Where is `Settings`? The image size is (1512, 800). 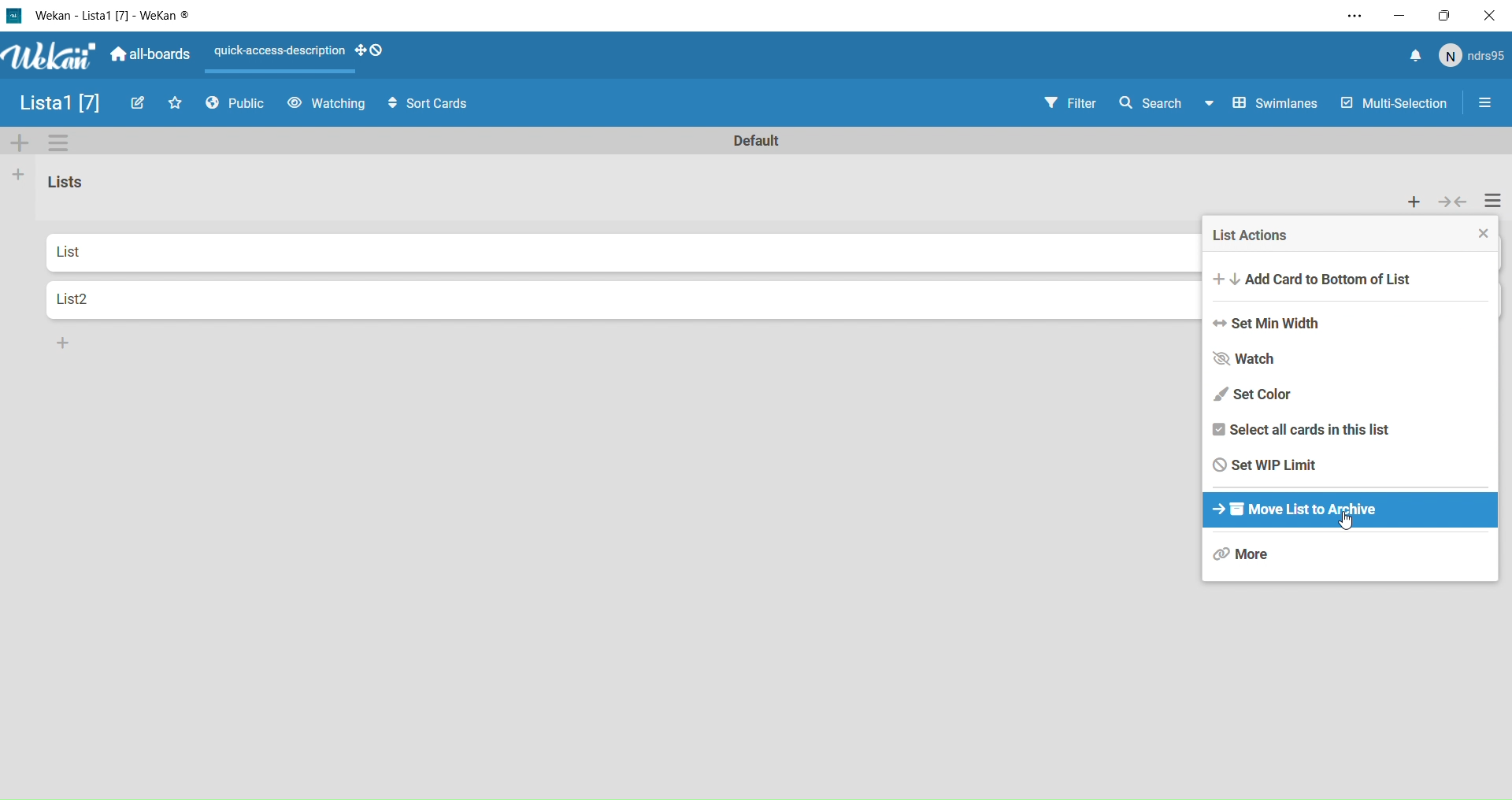 Settings is located at coordinates (1495, 206).